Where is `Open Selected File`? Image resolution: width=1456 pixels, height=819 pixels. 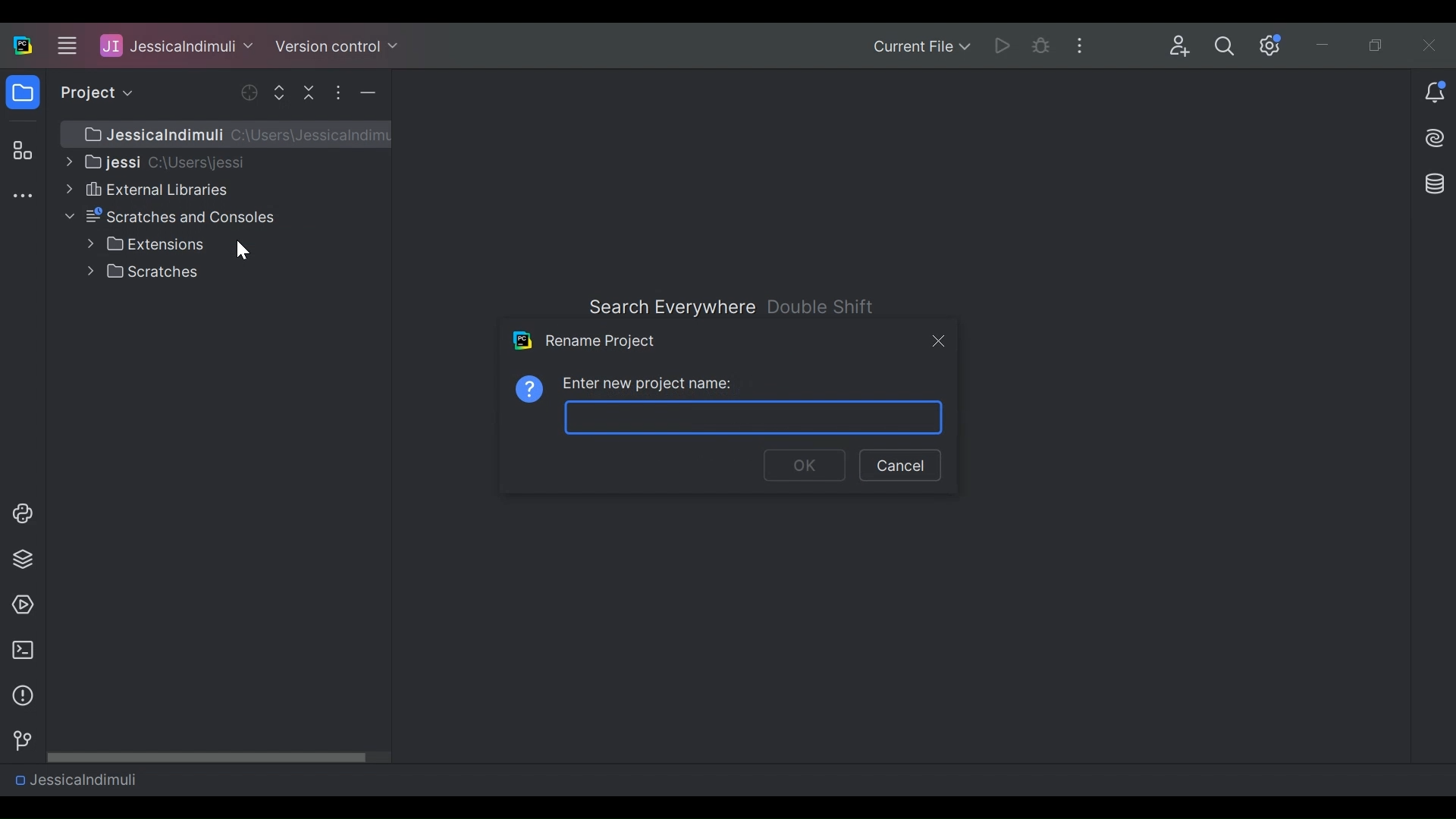
Open Selected File is located at coordinates (251, 93).